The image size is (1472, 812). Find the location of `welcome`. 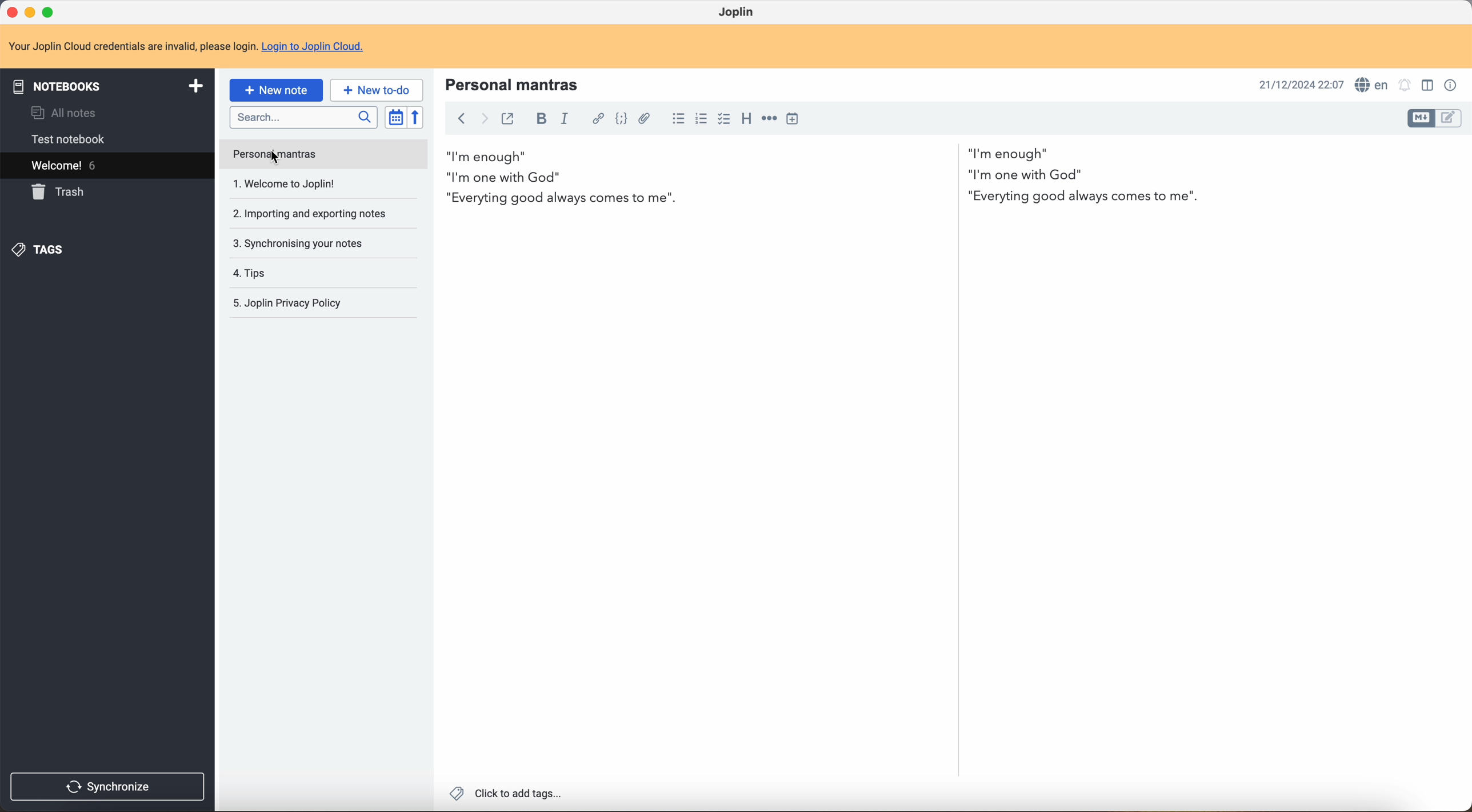

welcome is located at coordinates (105, 166).